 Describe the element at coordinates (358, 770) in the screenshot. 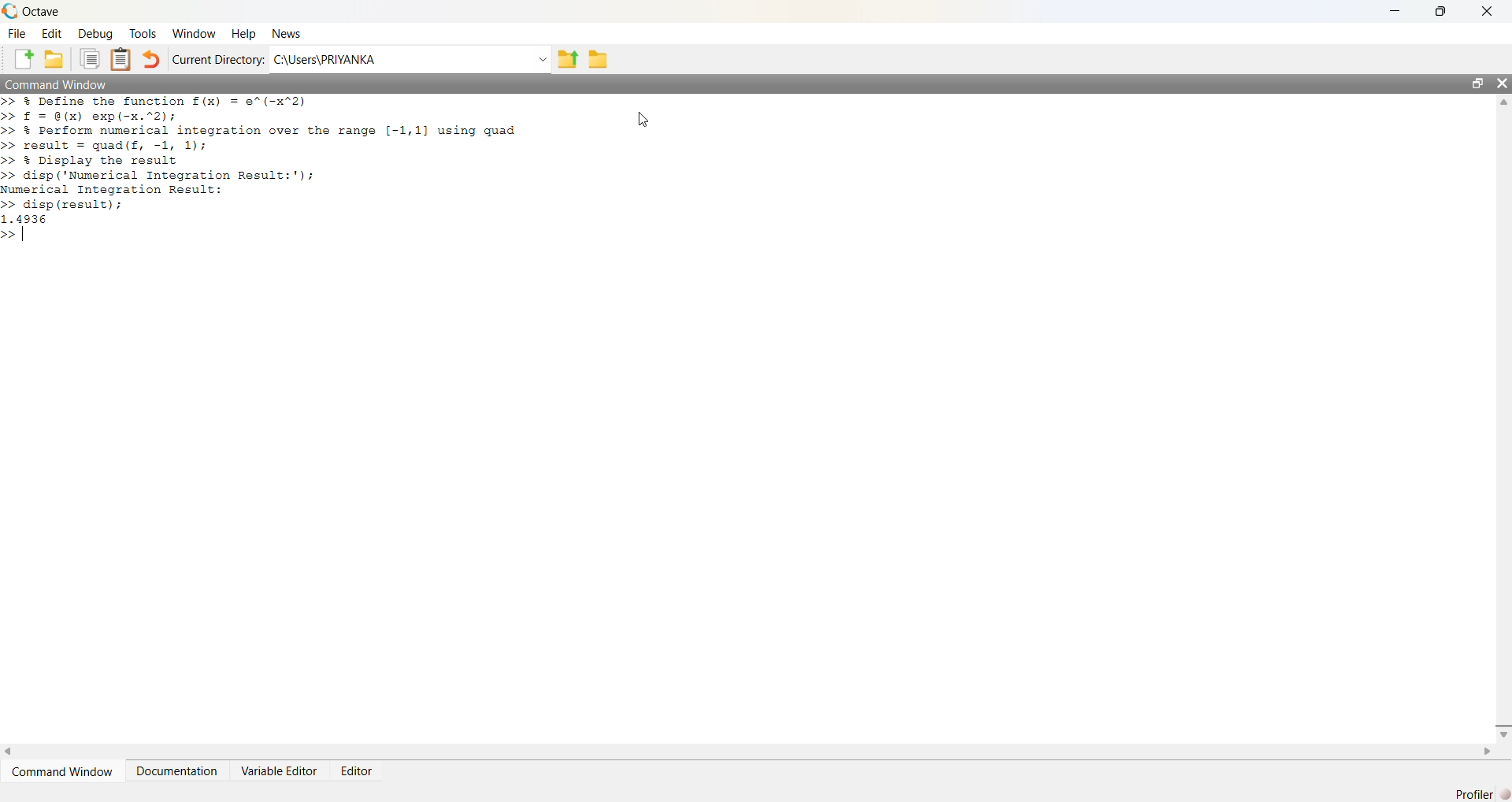

I see `Editor` at that location.